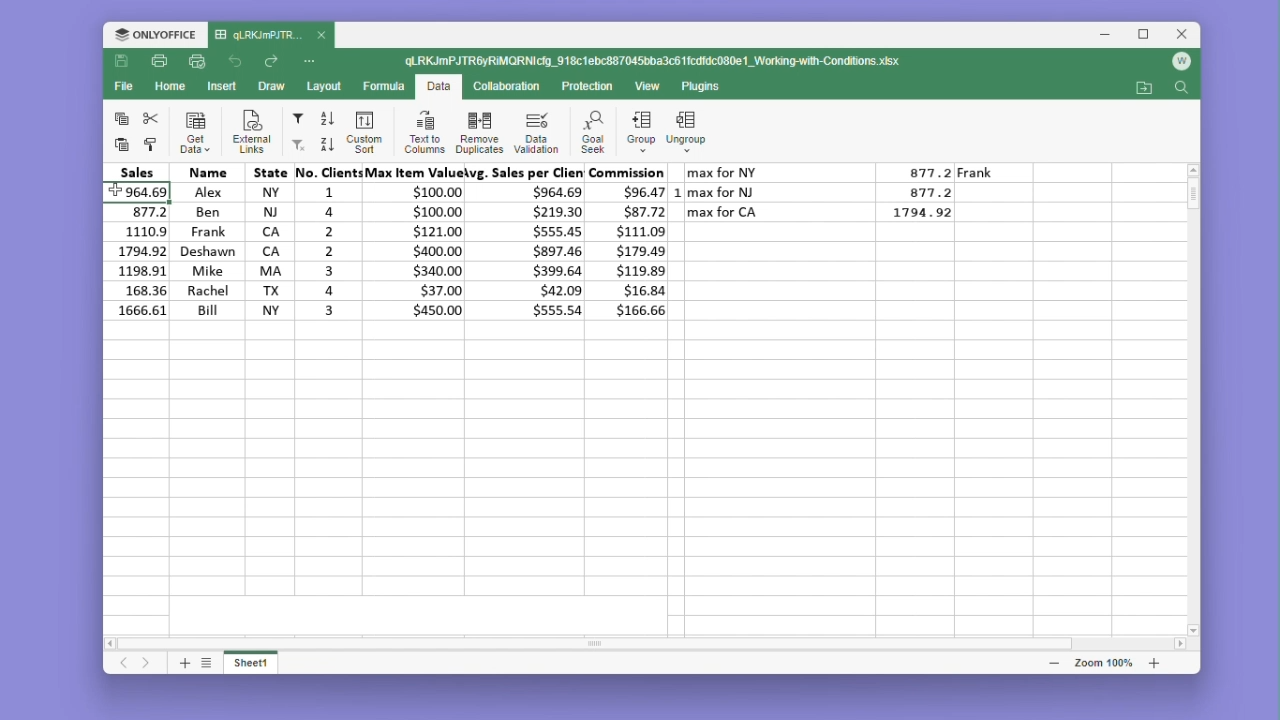  I want to click on File, so click(127, 86).